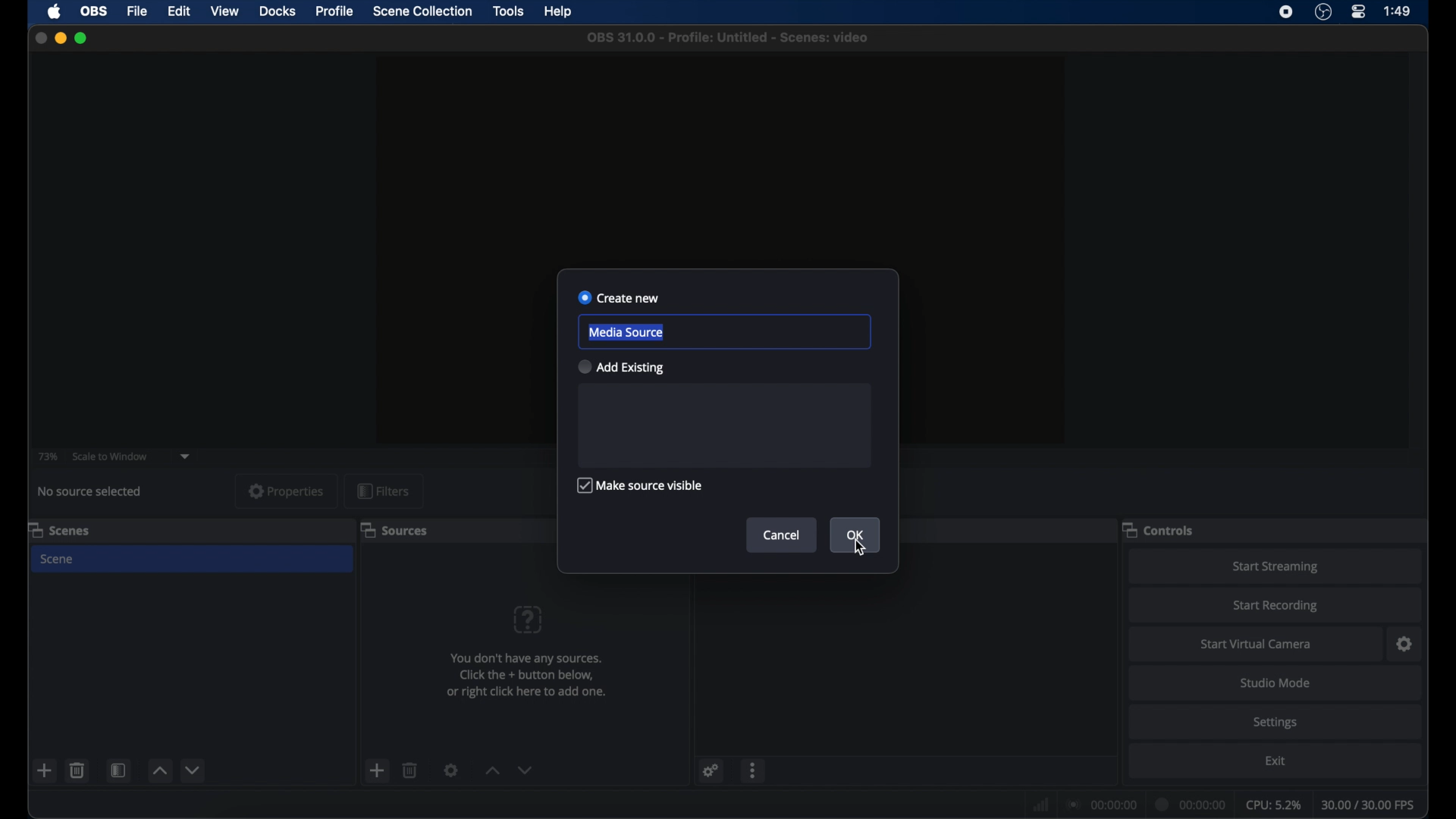 The width and height of the screenshot is (1456, 819). What do you see at coordinates (45, 770) in the screenshot?
I see `add` at bounding box center [45, 770].